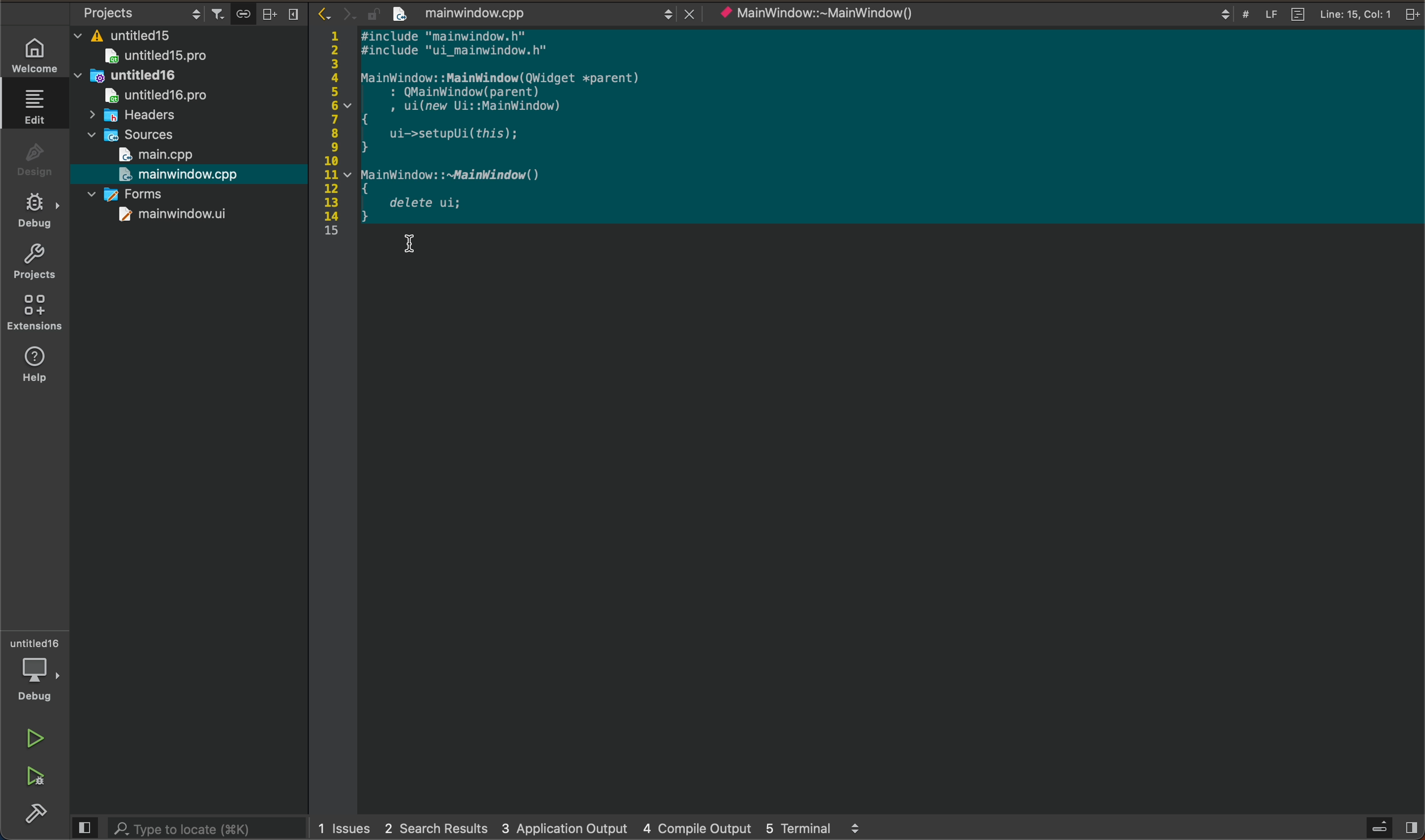 The height and width of the screenshot is (840, 1425). Describe the element at coordinates (146, 97) in the screenshot. I see `untitled16.pro` at that location.